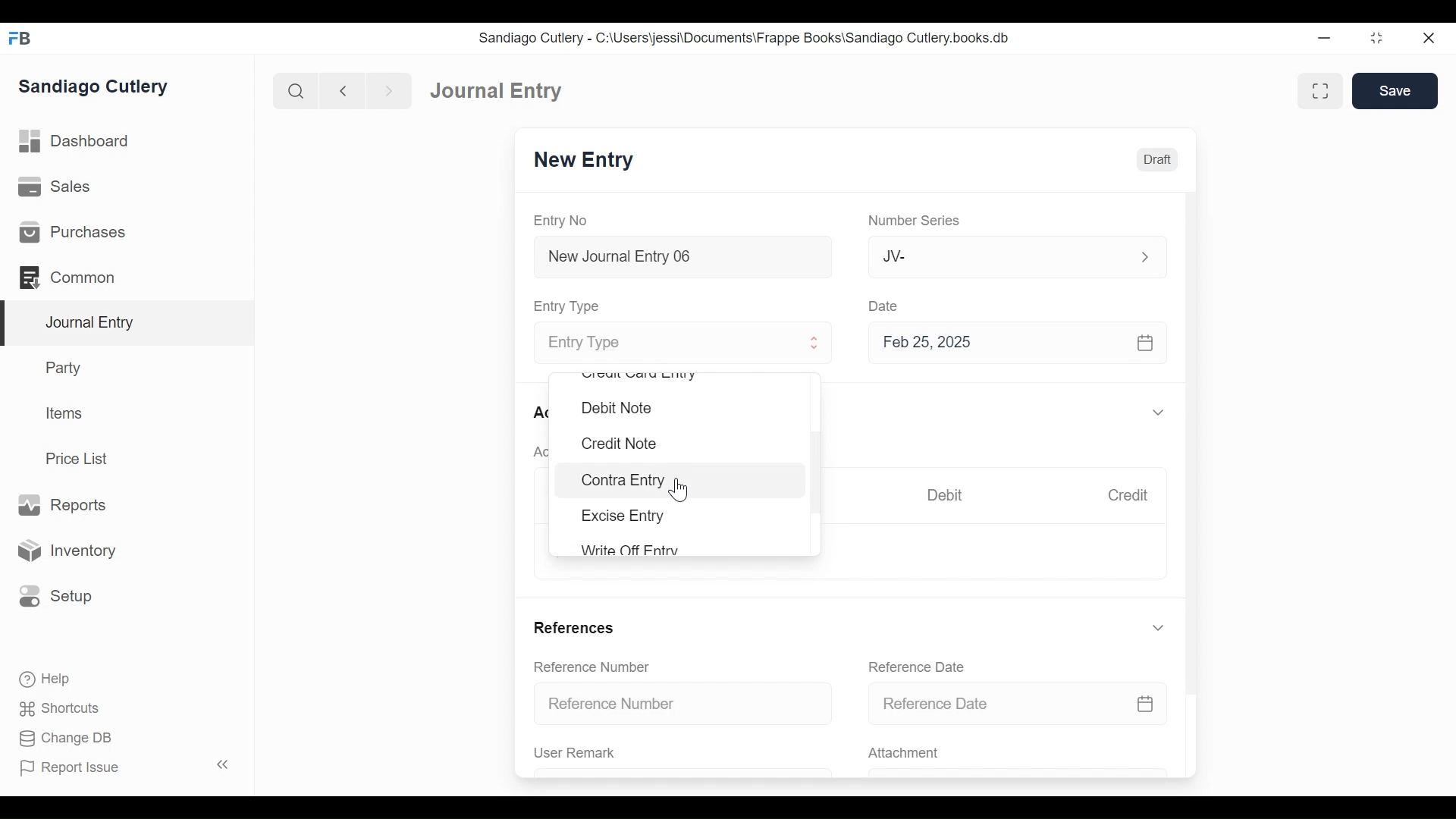  Describe the element at coordinates (343, 93) in the screenshot. I see `Navigate back` at that location.